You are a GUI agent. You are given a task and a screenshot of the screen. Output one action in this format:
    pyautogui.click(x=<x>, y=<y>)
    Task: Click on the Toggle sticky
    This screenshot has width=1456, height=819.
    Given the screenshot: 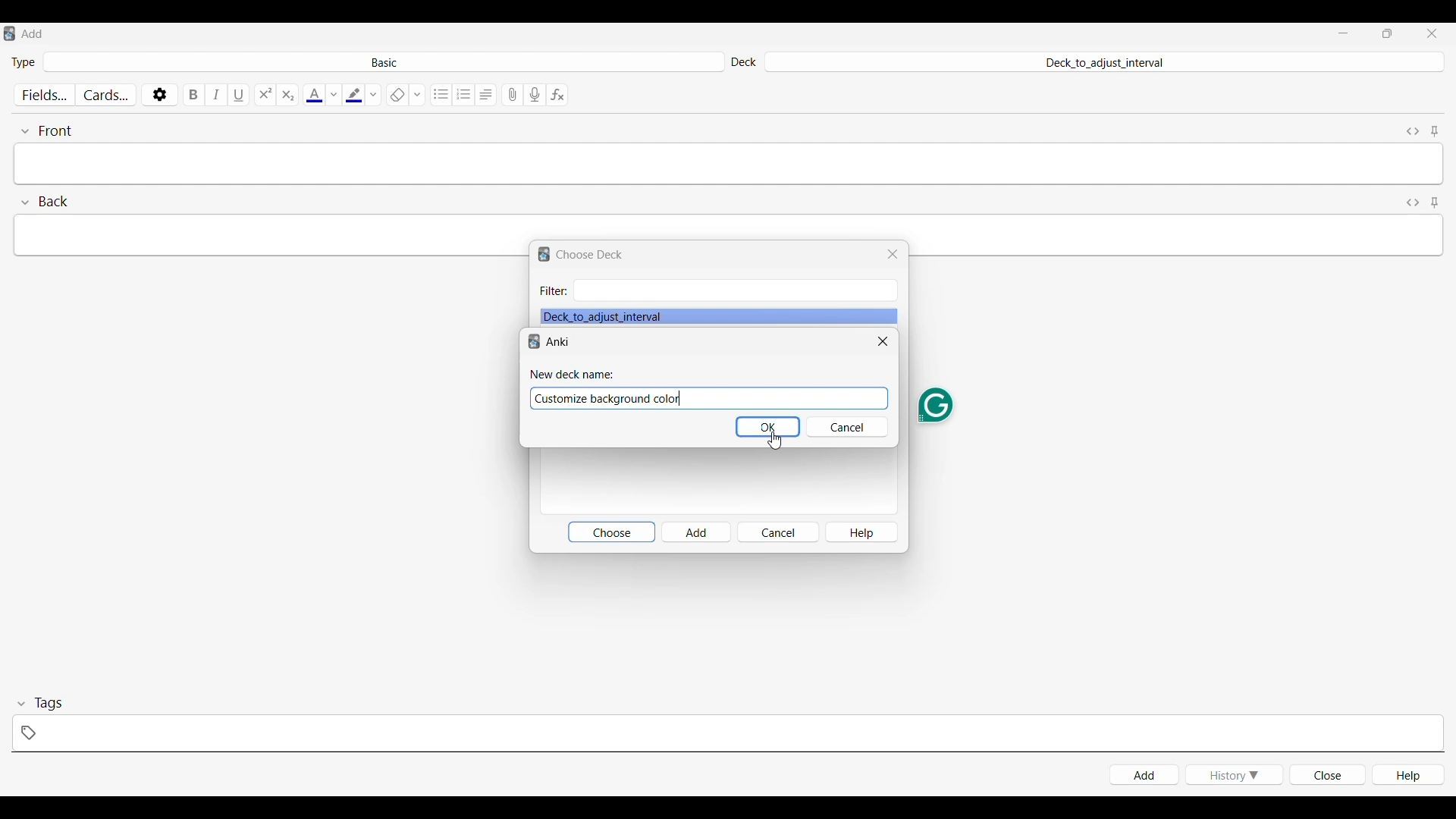 What is the action you would take?
    pyautogui.click(x=1434, y=203)
    